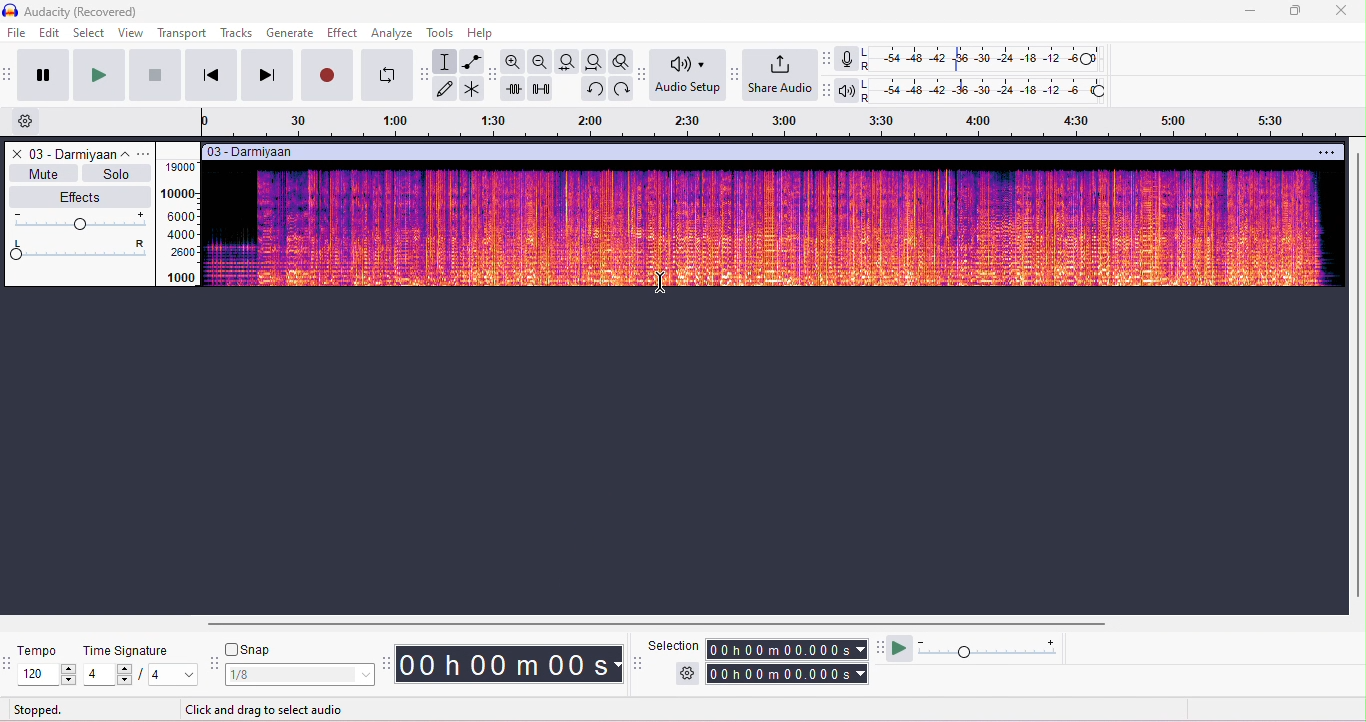  I want to click on tools tool bar, so click(425, 74).